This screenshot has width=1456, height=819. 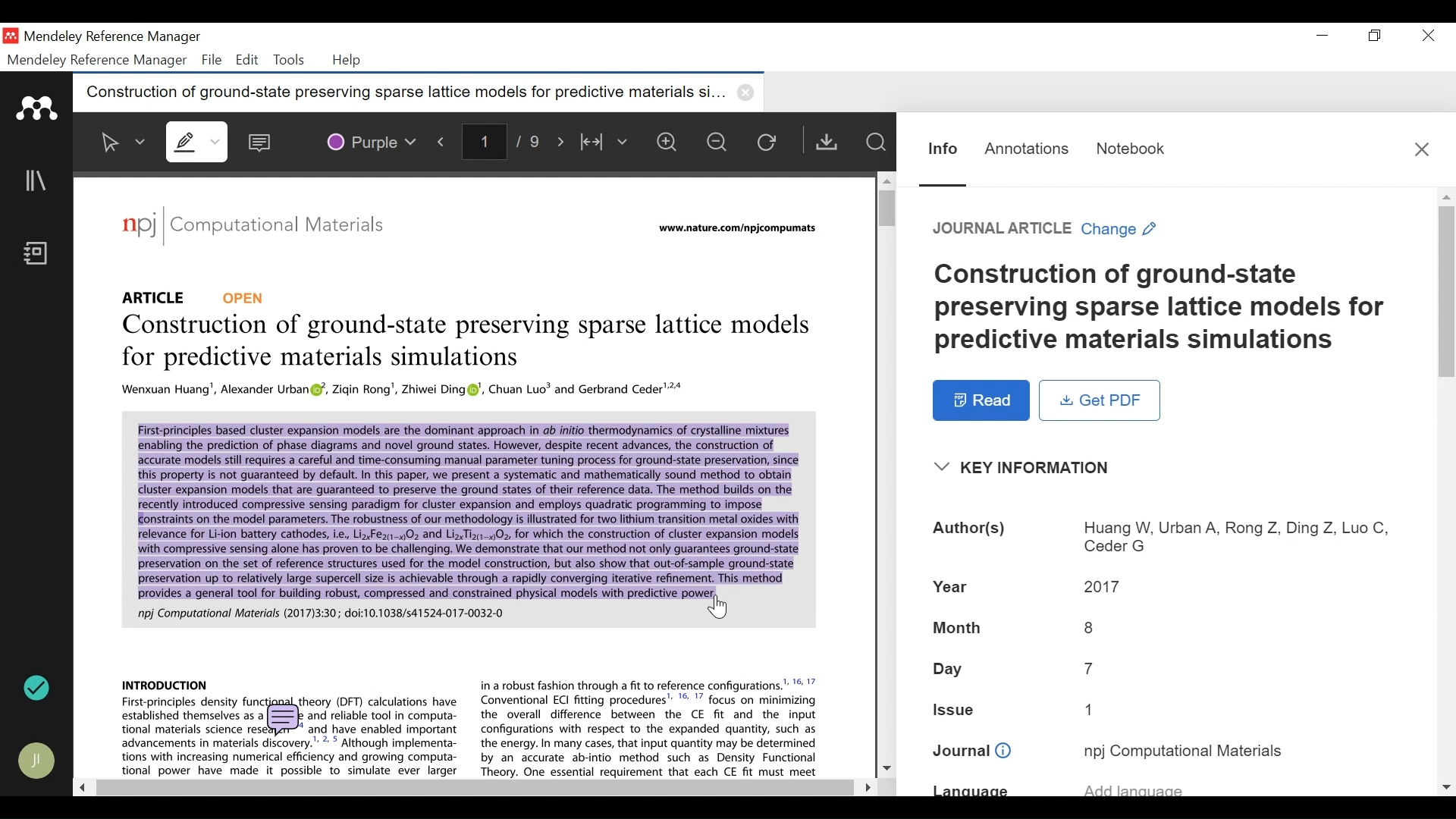 What do you see at coordinates (38, 688) in the screenshot?
I see `Sync` at bounding box center [38, 688].